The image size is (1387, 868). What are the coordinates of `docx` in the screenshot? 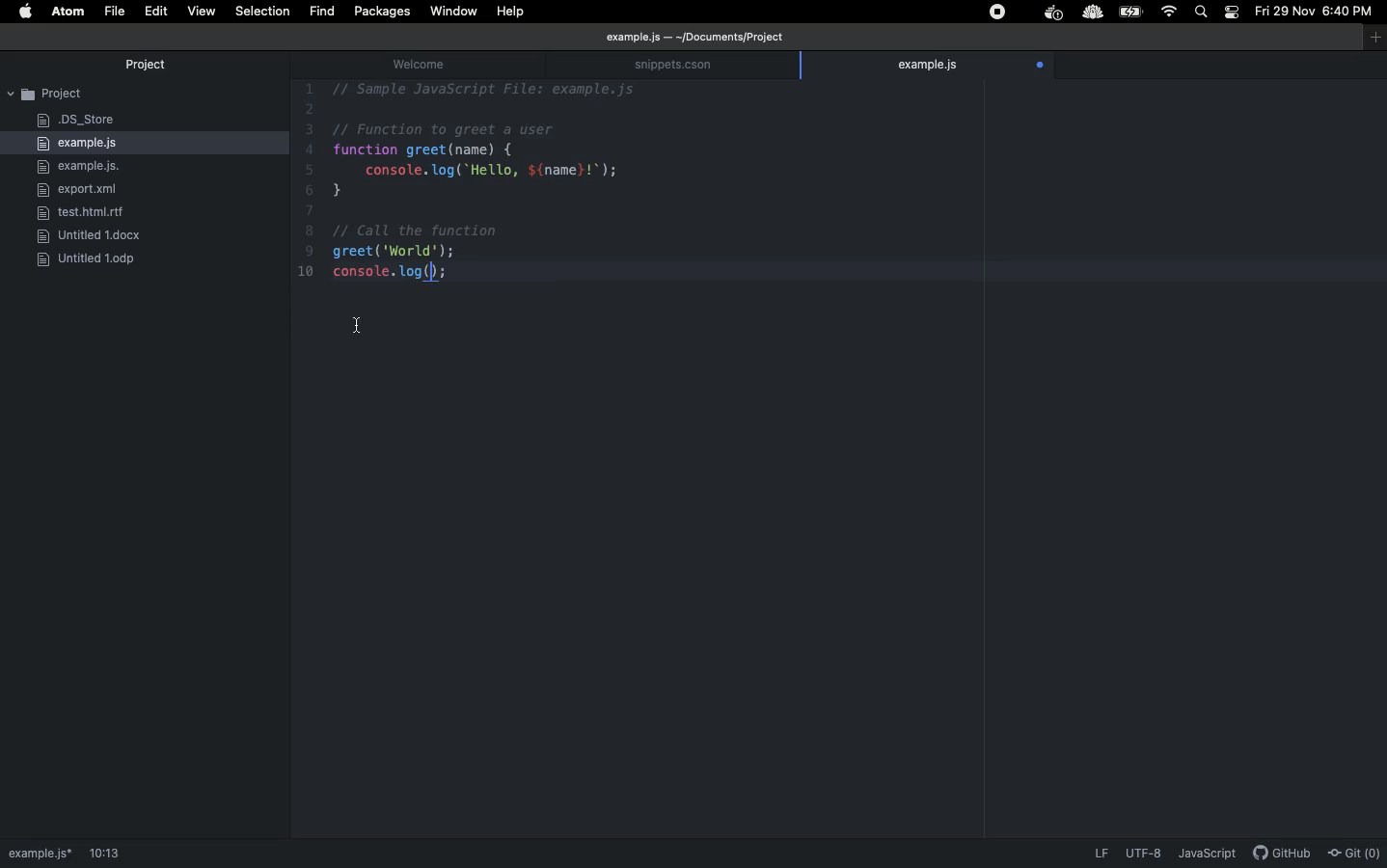 It's located at (91, 234).